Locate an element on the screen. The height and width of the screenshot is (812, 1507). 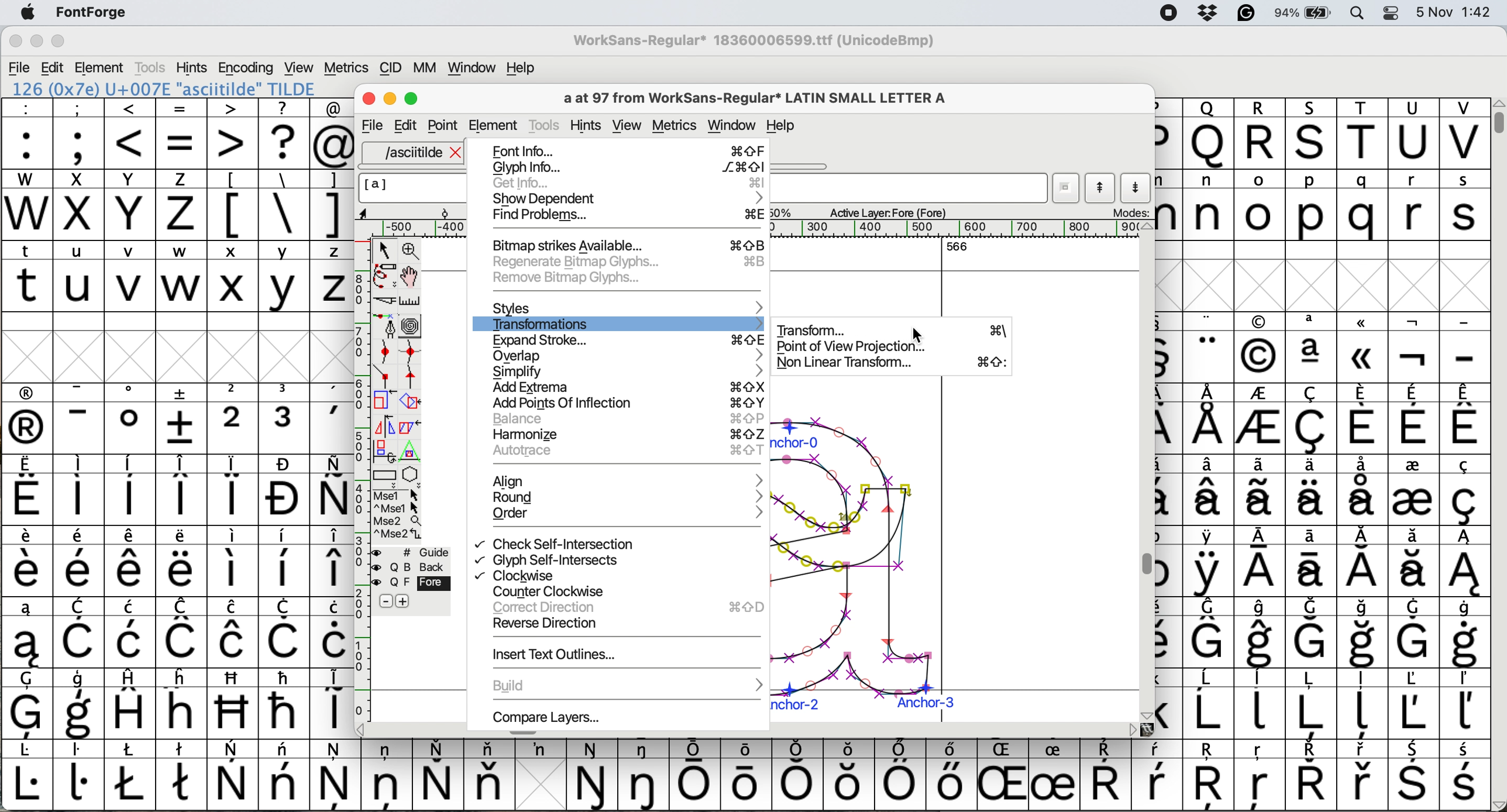
cut splines in two is located at coordinates (386, 302).